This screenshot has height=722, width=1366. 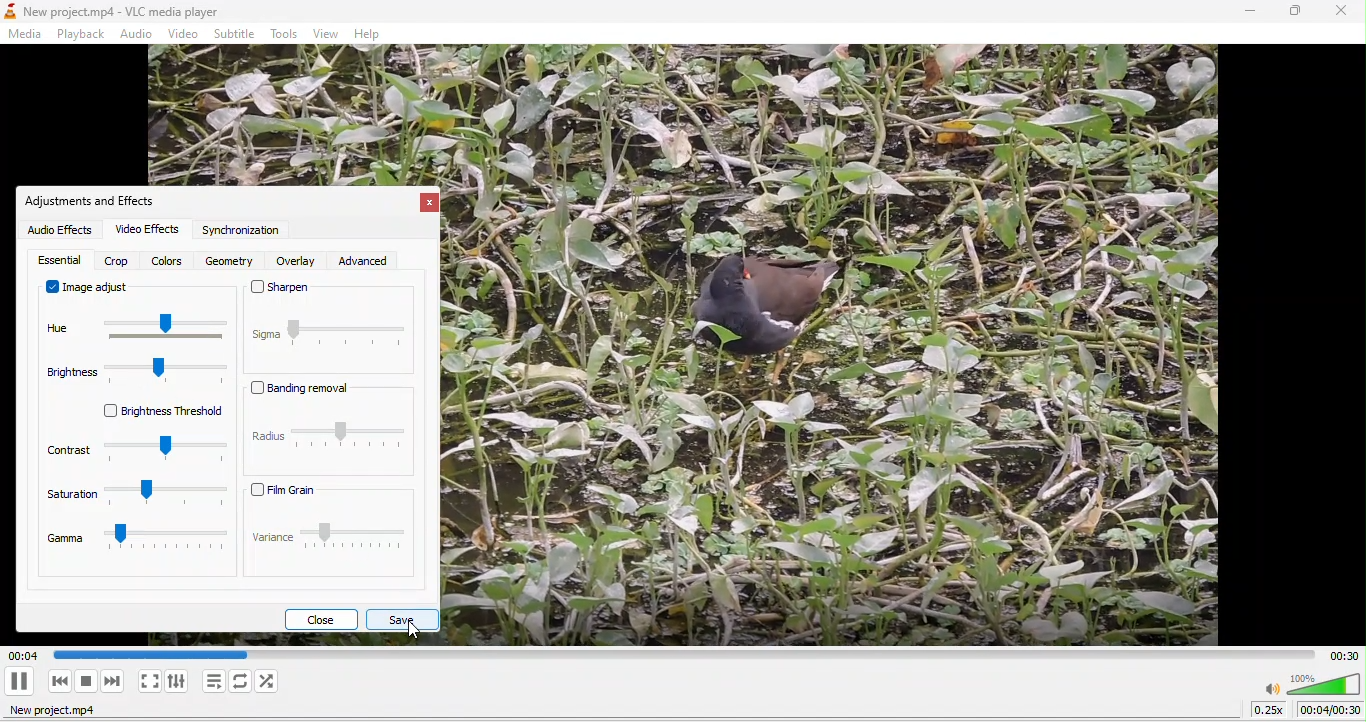 What do you see at coordinates (428, 205) in the screenshot?
I see `close` at bounding box center [428, 205].